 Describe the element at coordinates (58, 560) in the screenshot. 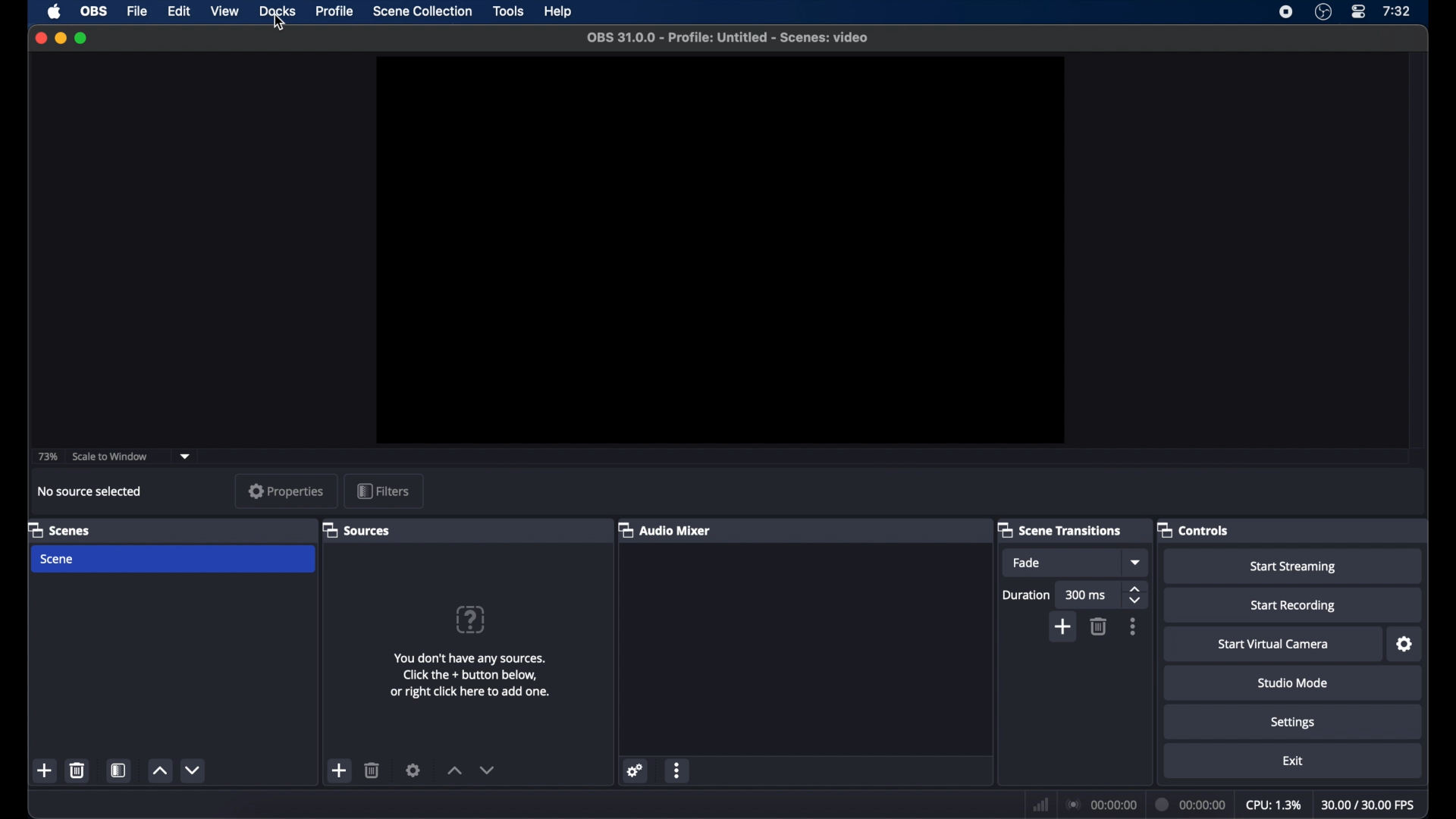

I see `scene` at that location.